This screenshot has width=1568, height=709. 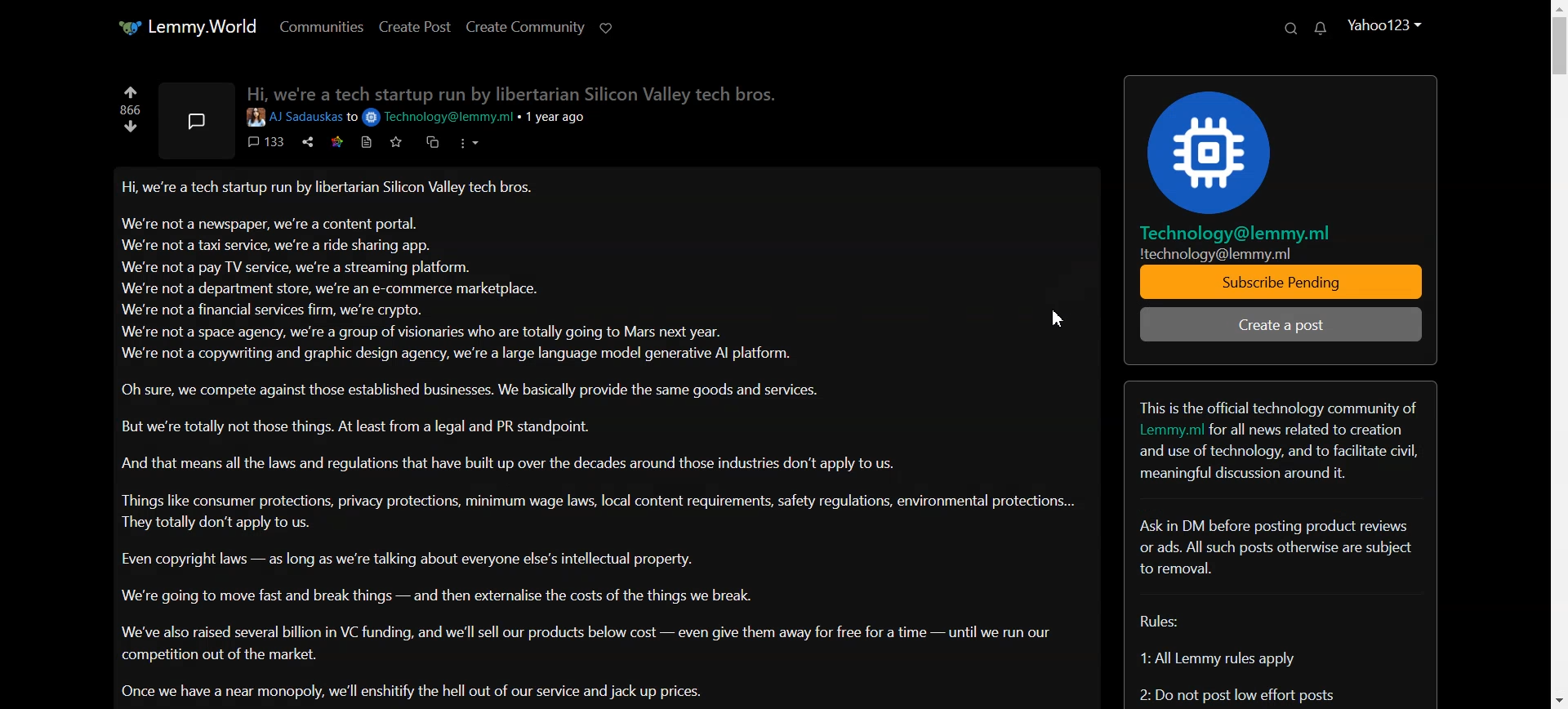 I want to click on Notification, so click(x=1321, y=28).